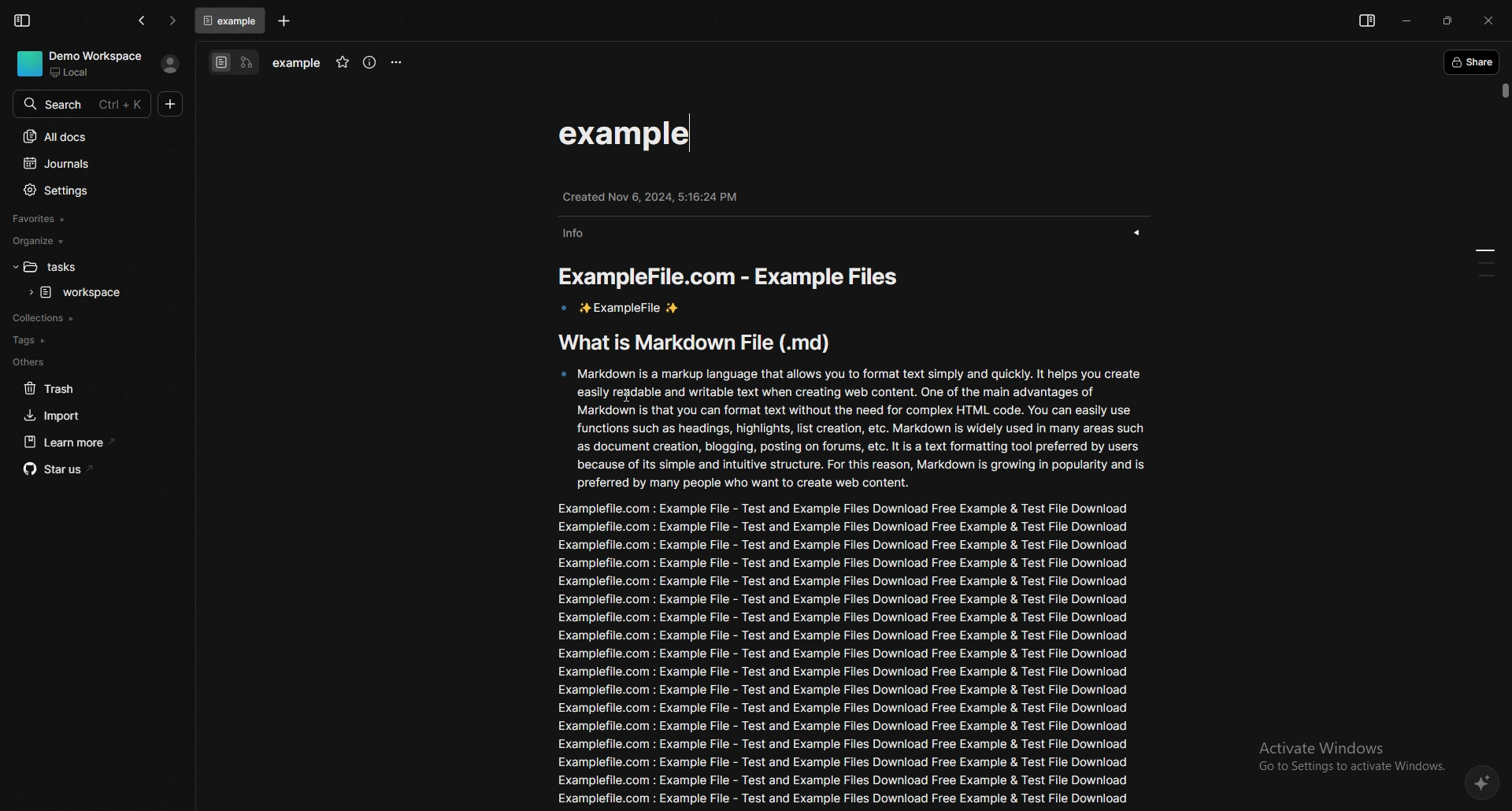 The height and width of the screenshot is (811, 1512). Describe the element at coordinates (1484, 262) in the screenshot. I see `pages` at that location.